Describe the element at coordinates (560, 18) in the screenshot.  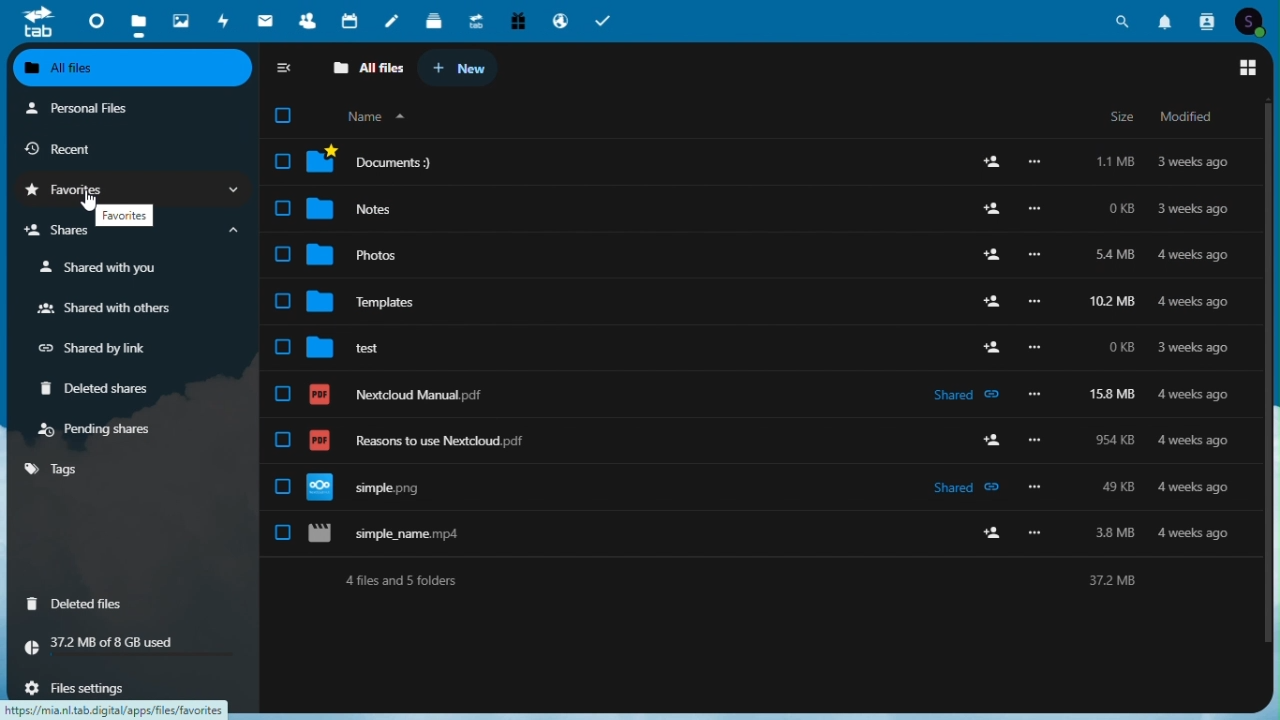
I see `Email hosting` at that location.